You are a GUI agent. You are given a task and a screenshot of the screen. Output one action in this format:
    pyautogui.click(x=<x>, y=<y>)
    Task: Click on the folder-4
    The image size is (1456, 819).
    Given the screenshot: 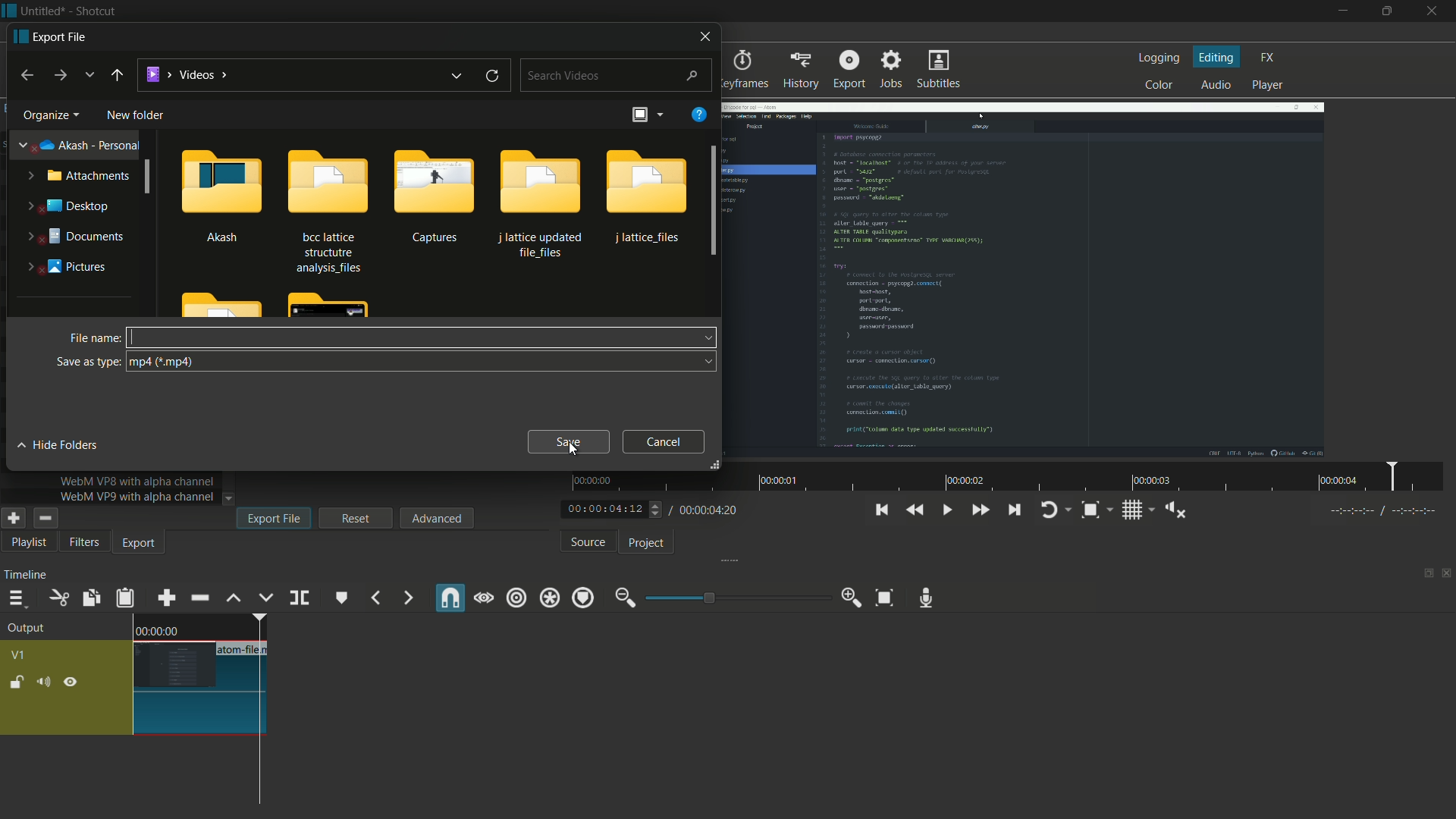 What is the action you would take?
    pyautogui.click(x=538, y=202)
    